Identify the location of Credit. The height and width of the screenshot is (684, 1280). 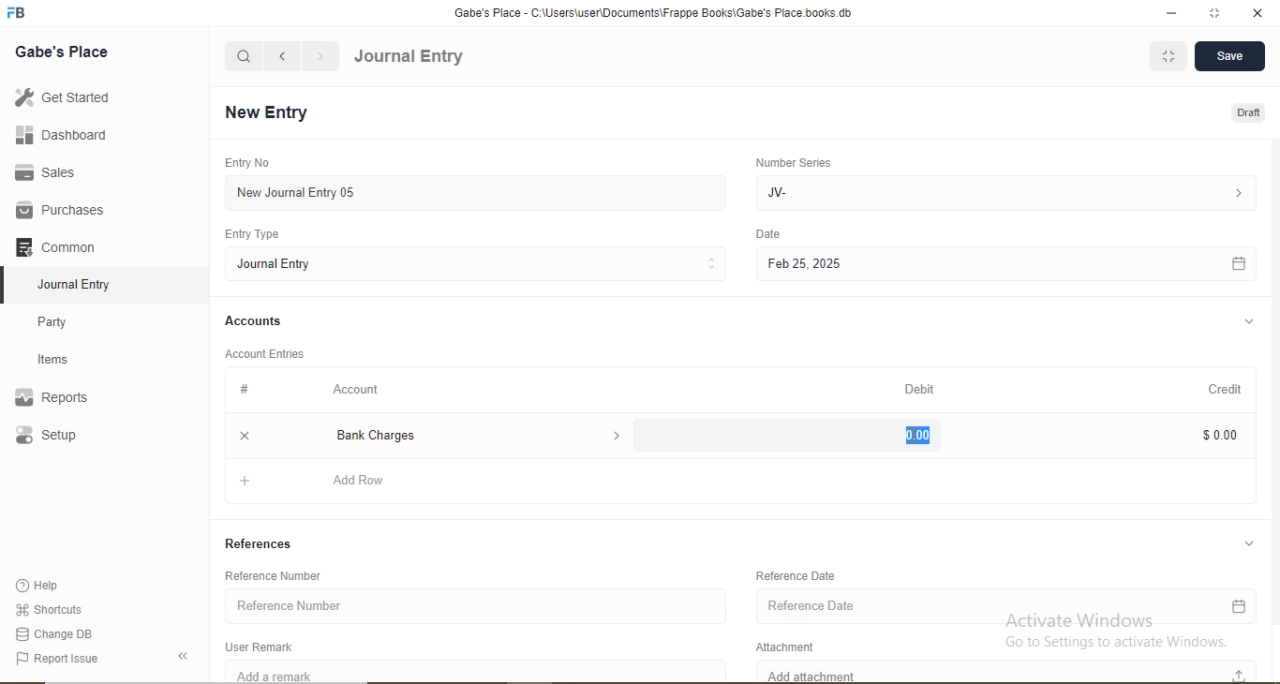
(1219, 388).